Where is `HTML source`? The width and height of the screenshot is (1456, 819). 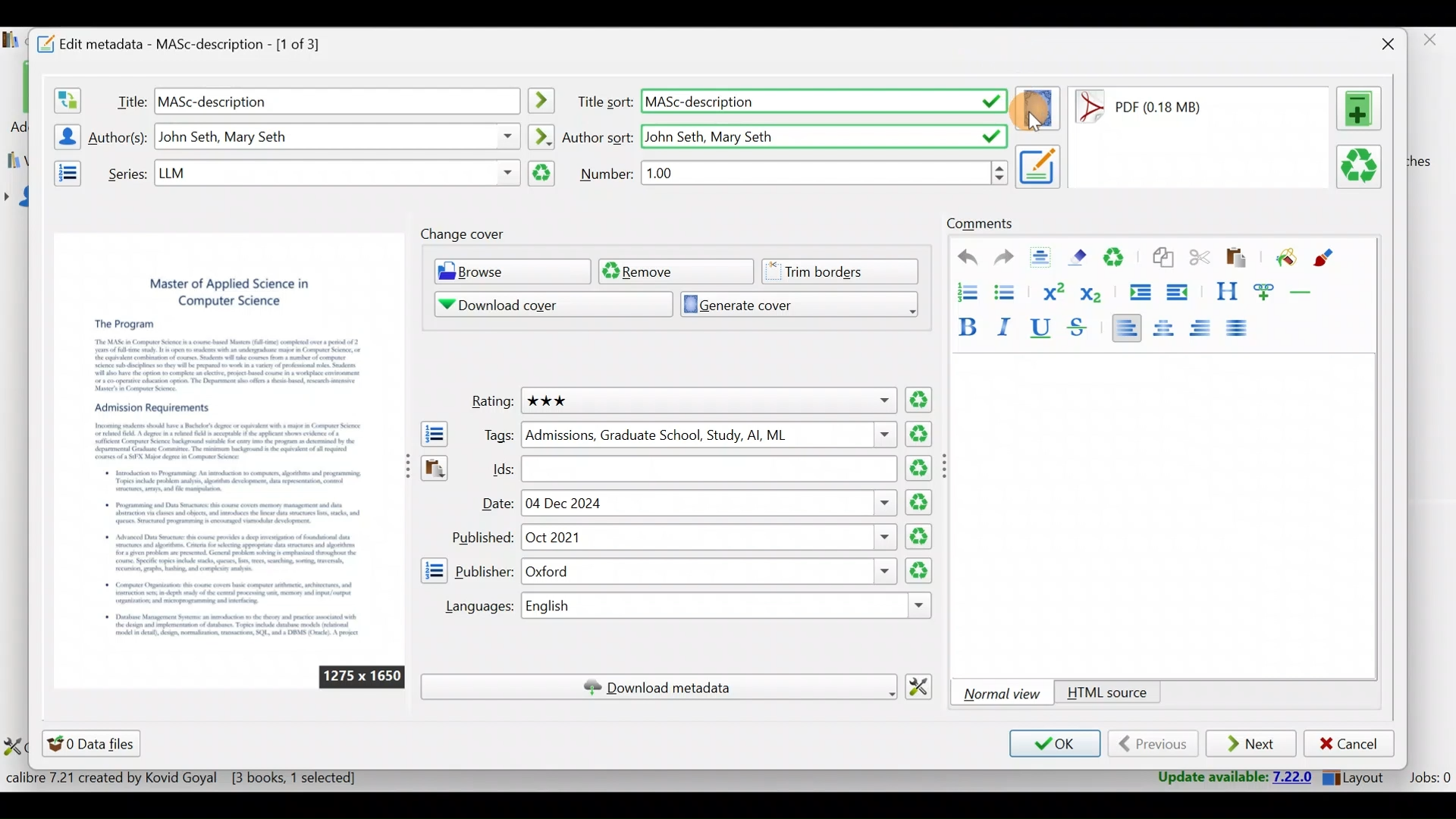 HTML source is located at coordinates (1107, 694).